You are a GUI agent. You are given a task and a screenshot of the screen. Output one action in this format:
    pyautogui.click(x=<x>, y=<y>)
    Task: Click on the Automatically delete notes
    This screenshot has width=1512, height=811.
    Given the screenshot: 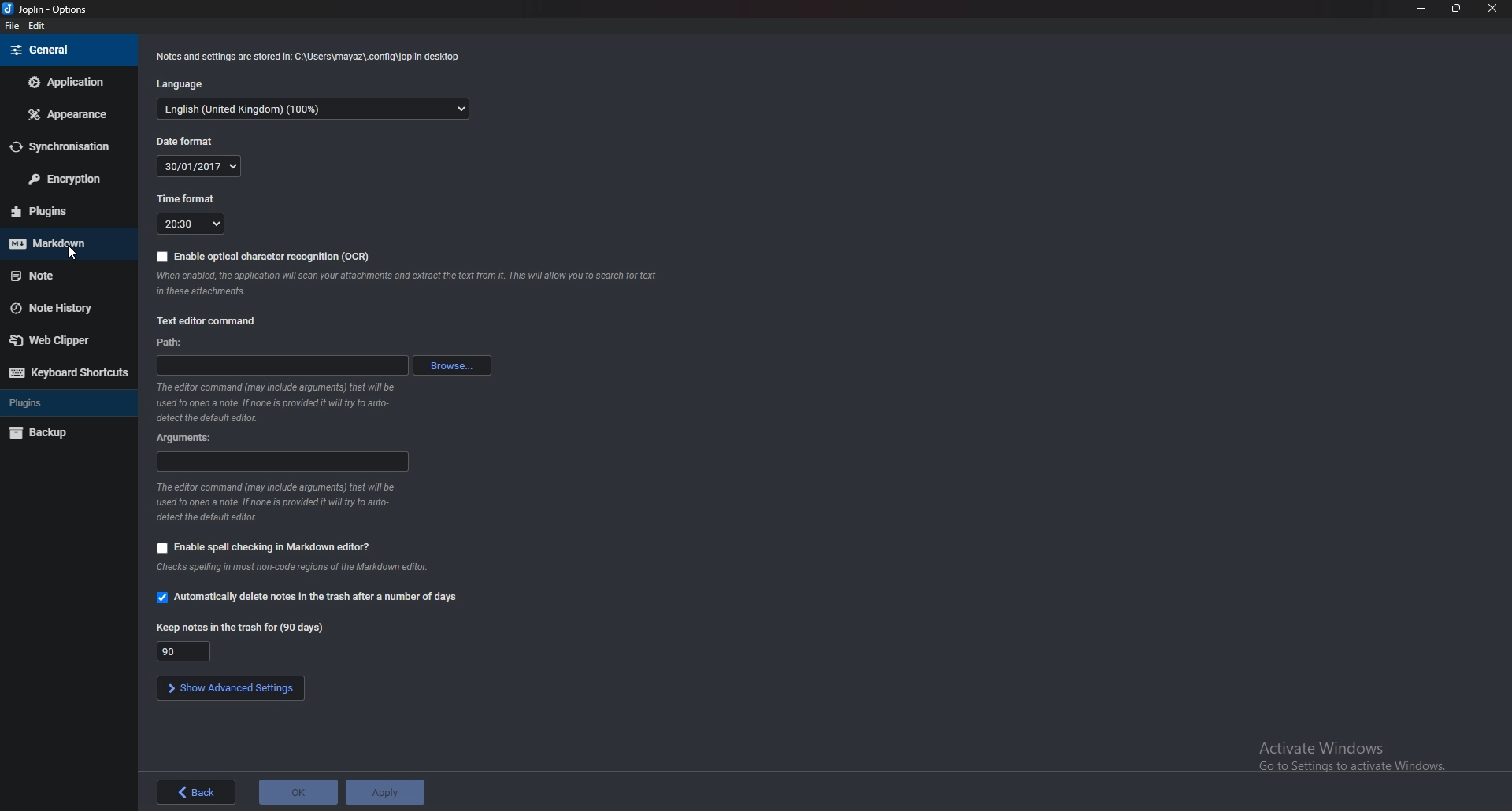 What is the action you would take?
    pyautogui.click(x=304, y=598)
    